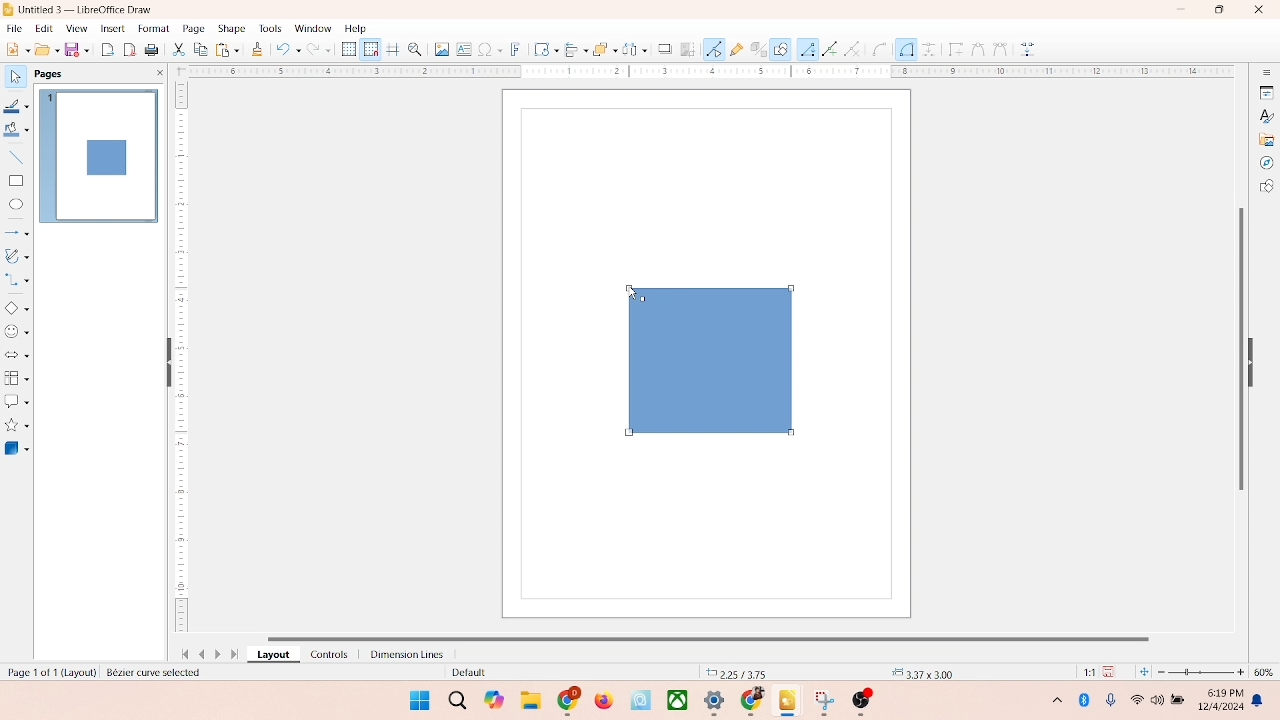 This screenshot has width=1280, height=720. Describe the element at coordinates (202, 654) in the screenshot. I see `previous page` at that location.